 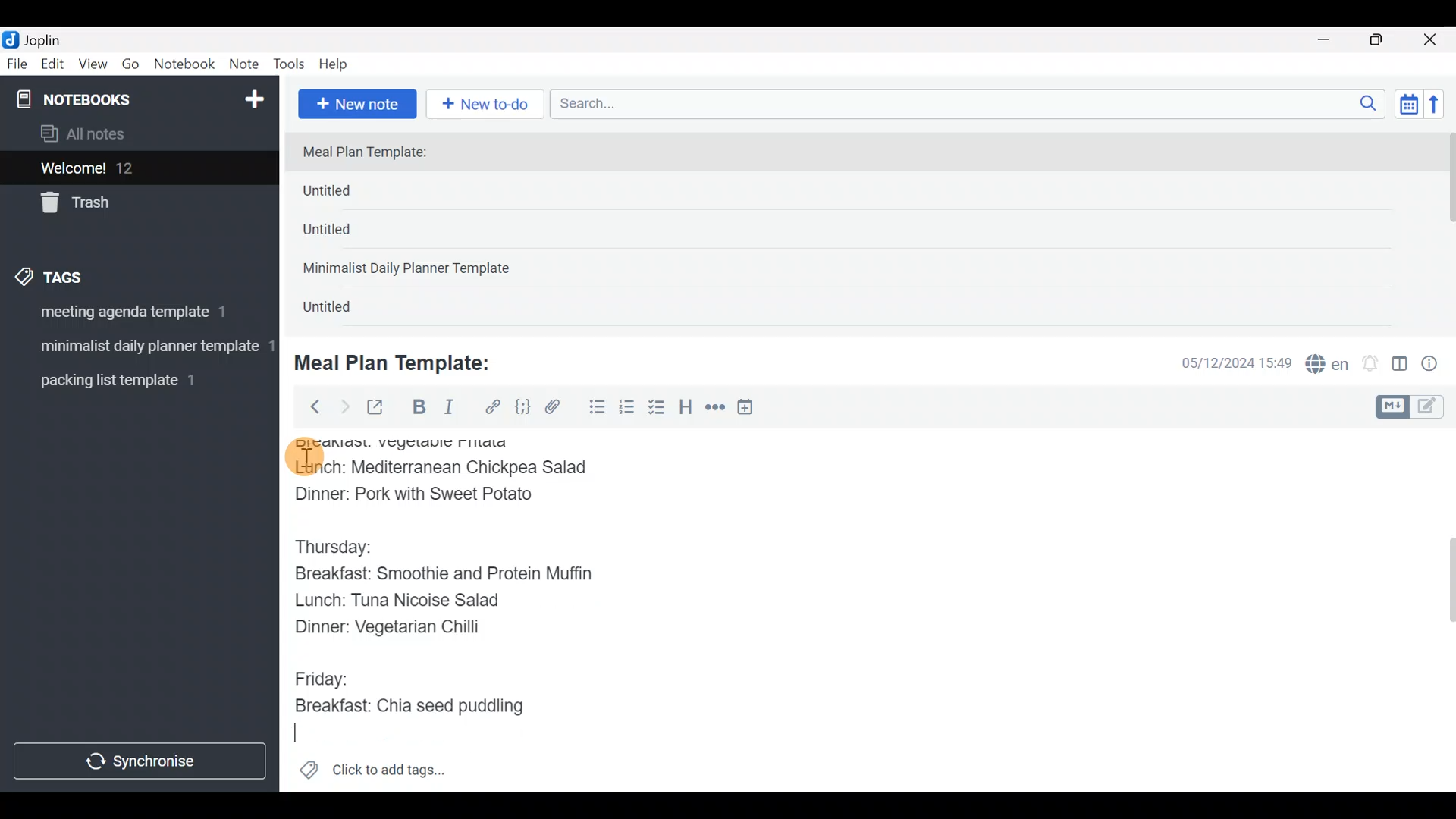 What do you see at coordinates (381, 408) in the screenshot?
I see `Toggle external editing` at bounding box center [381, 408].